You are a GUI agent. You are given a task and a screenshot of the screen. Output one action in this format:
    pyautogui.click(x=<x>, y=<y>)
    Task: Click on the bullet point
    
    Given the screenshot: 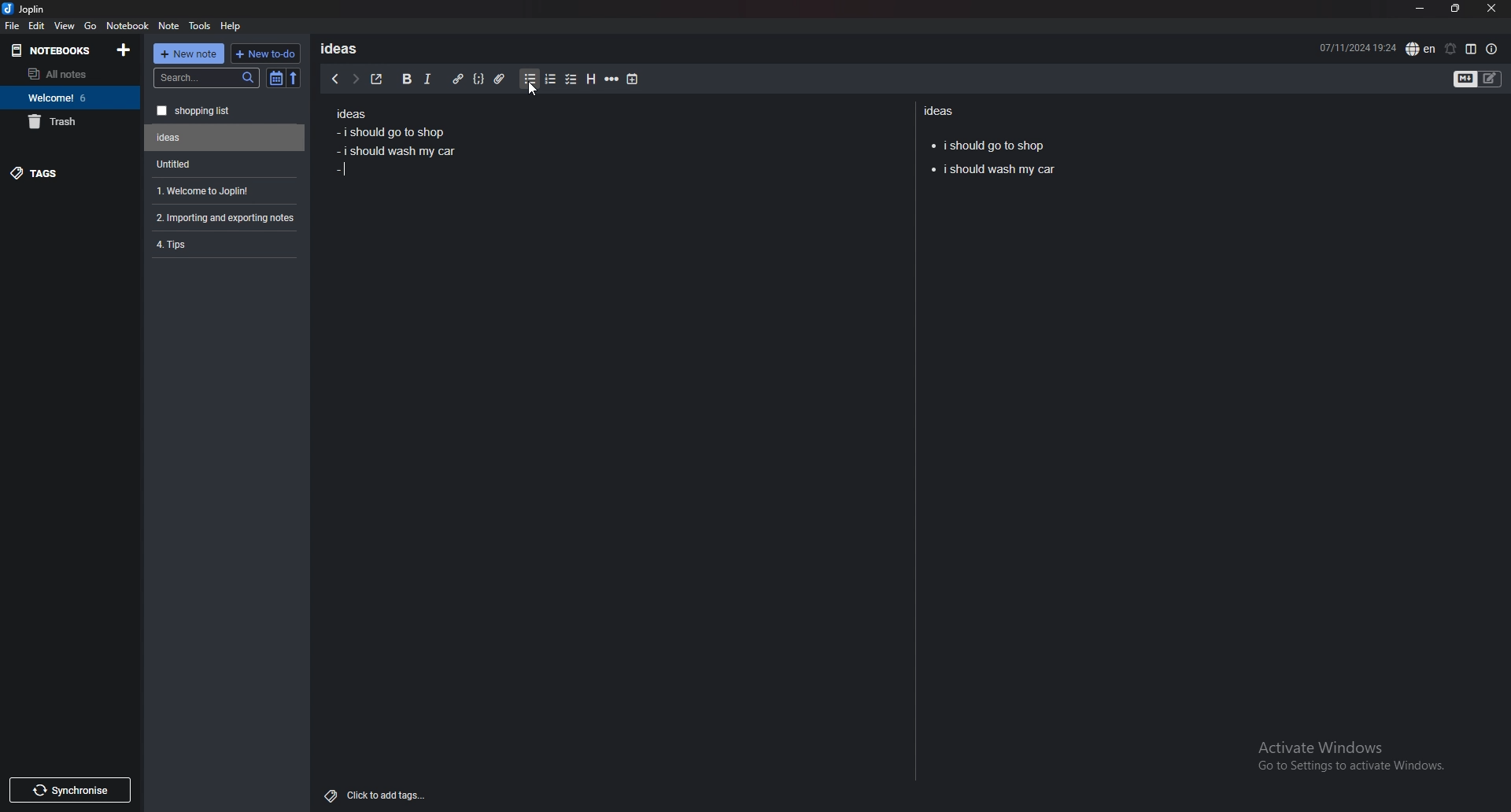 What is the action you would take?
    pyautogui.click(x=341, y=172)
    